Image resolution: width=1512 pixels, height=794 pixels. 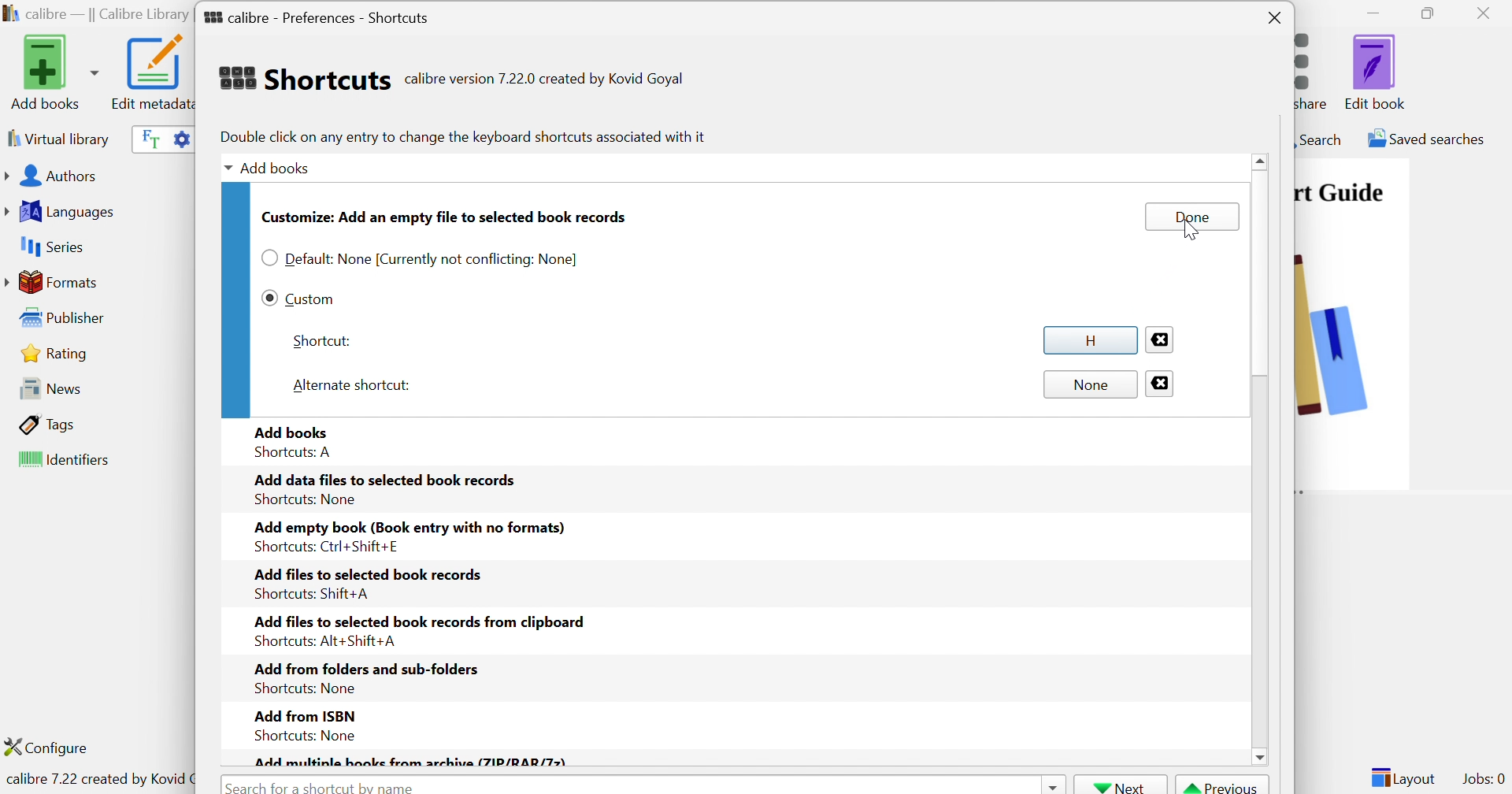 What do you see at coordinates (1158, 338) in the screenshot?
I see `Close` at bounding box center [1158, 338].